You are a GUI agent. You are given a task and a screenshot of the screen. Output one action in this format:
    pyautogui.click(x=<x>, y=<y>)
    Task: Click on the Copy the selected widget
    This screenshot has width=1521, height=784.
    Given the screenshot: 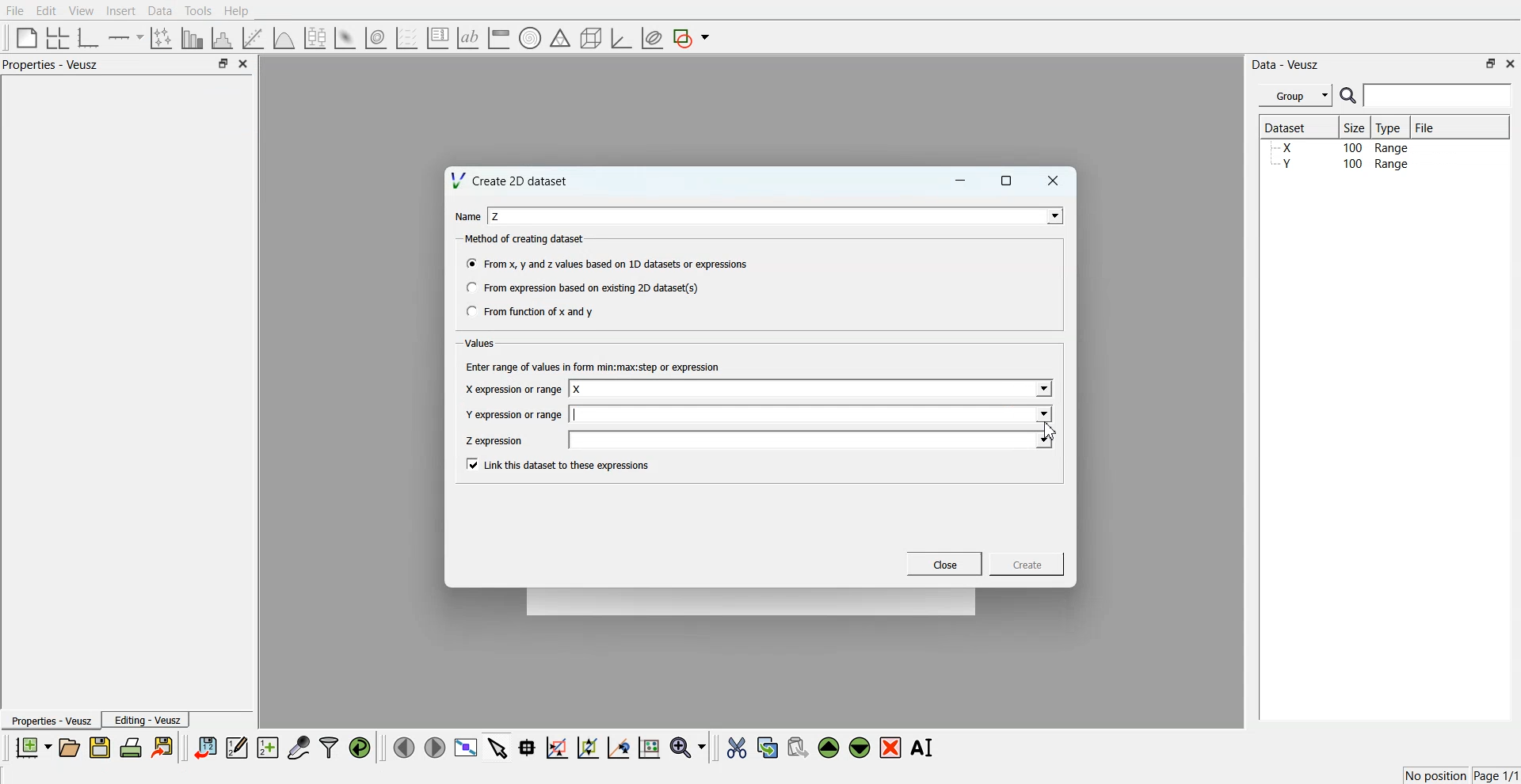 What is the action you would take?
    pyautogui.click(x=768, y=747)
    